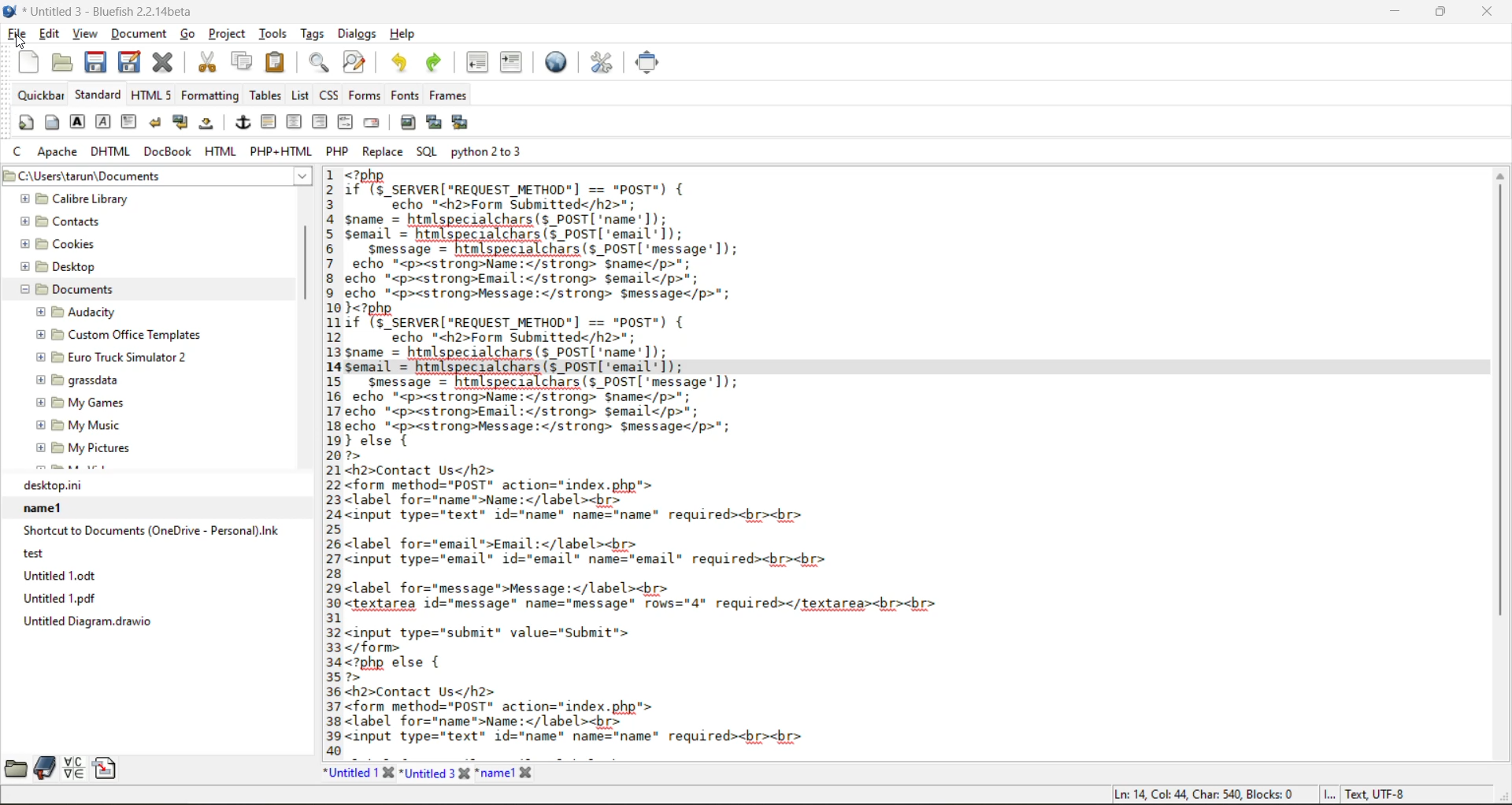  Describe the element at coordinates (182, 124) in the screenshot. I see `break and clear` at that location.